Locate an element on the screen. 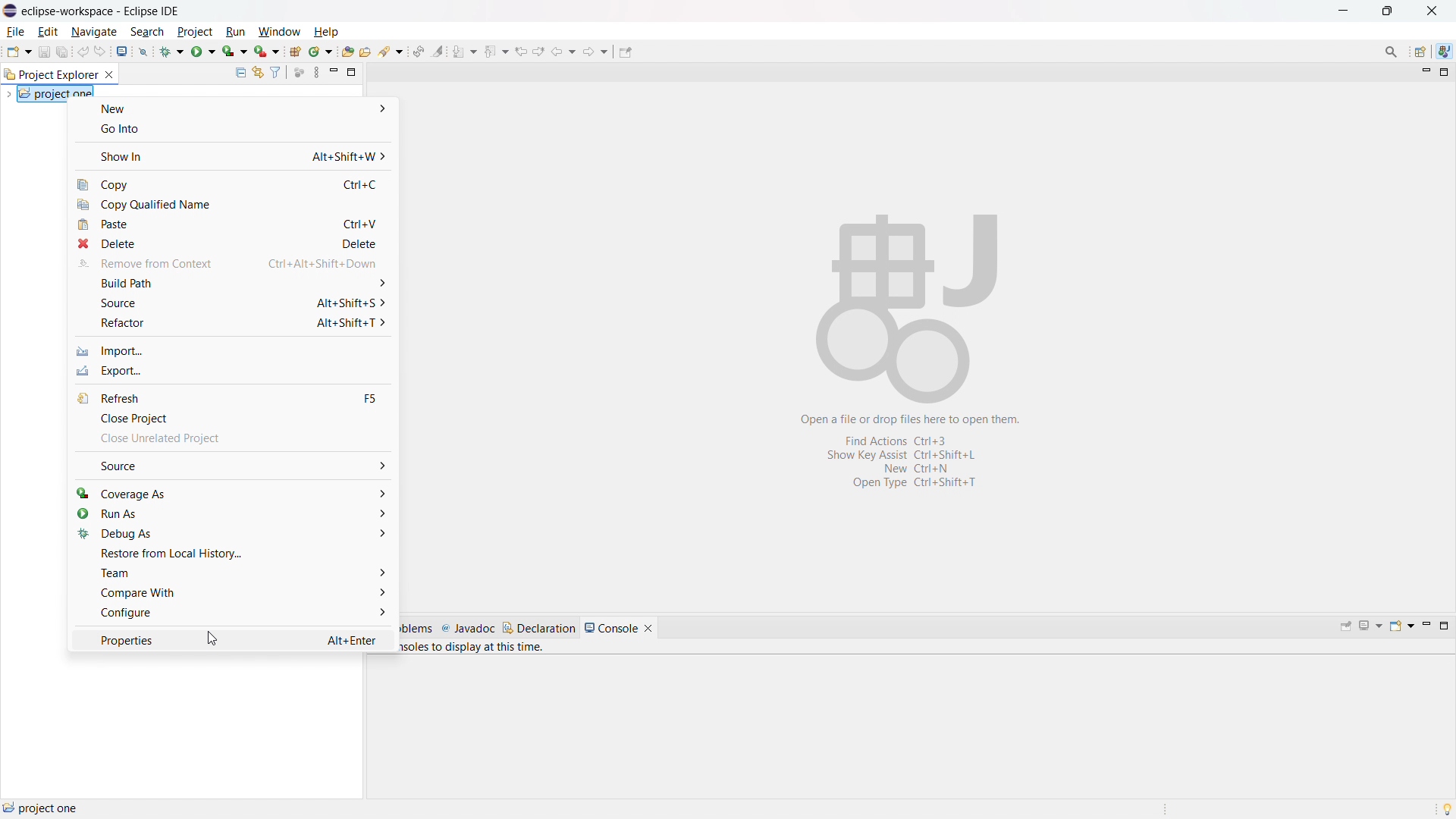 Image resolution: width=1456 pixels, height=819 pixels. coverage is located at coordinates (235, 51).